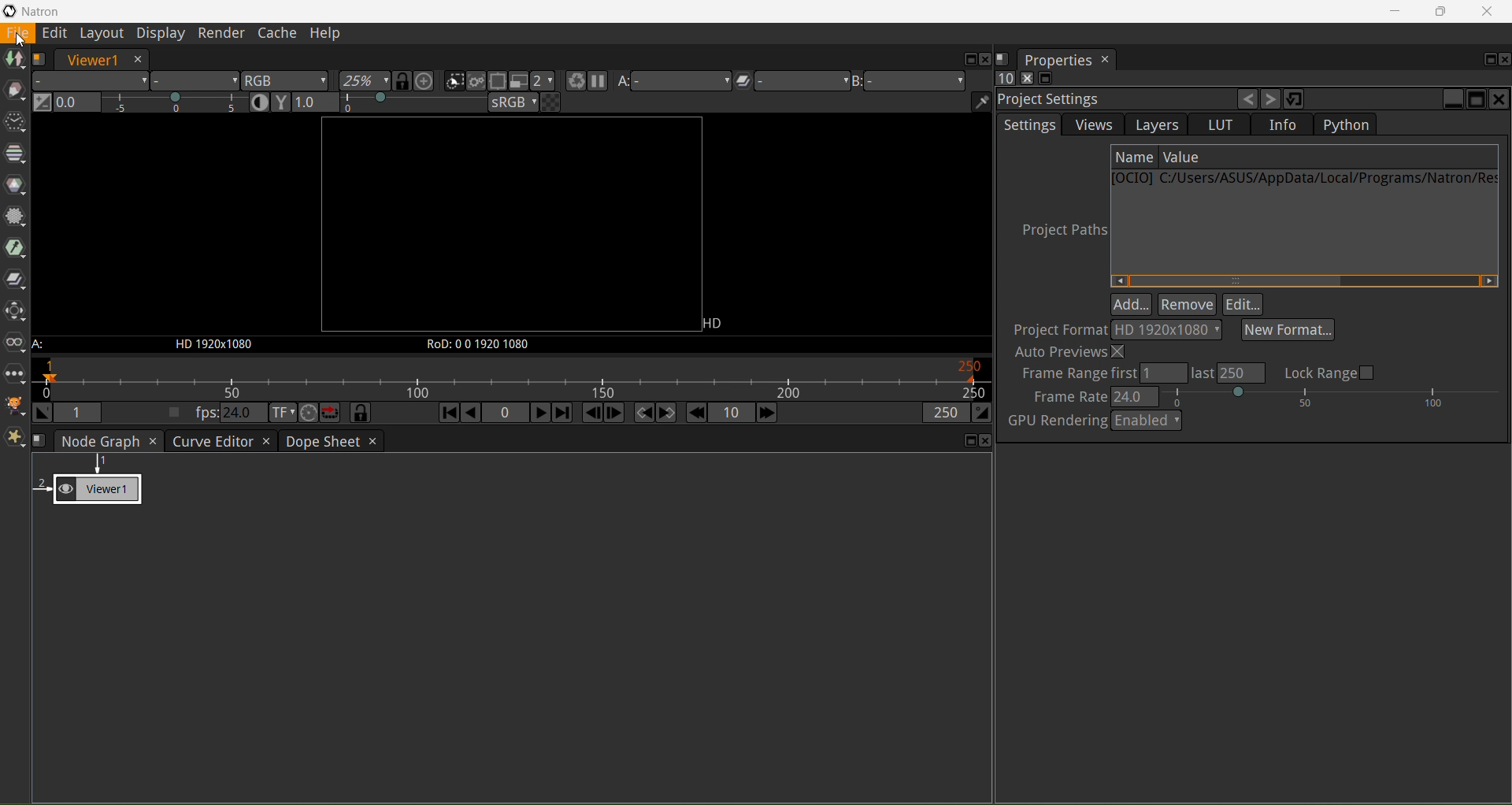 The height and width of the screenshot is (805, 1512). I want to click on Next Frame, so click(615, 414).